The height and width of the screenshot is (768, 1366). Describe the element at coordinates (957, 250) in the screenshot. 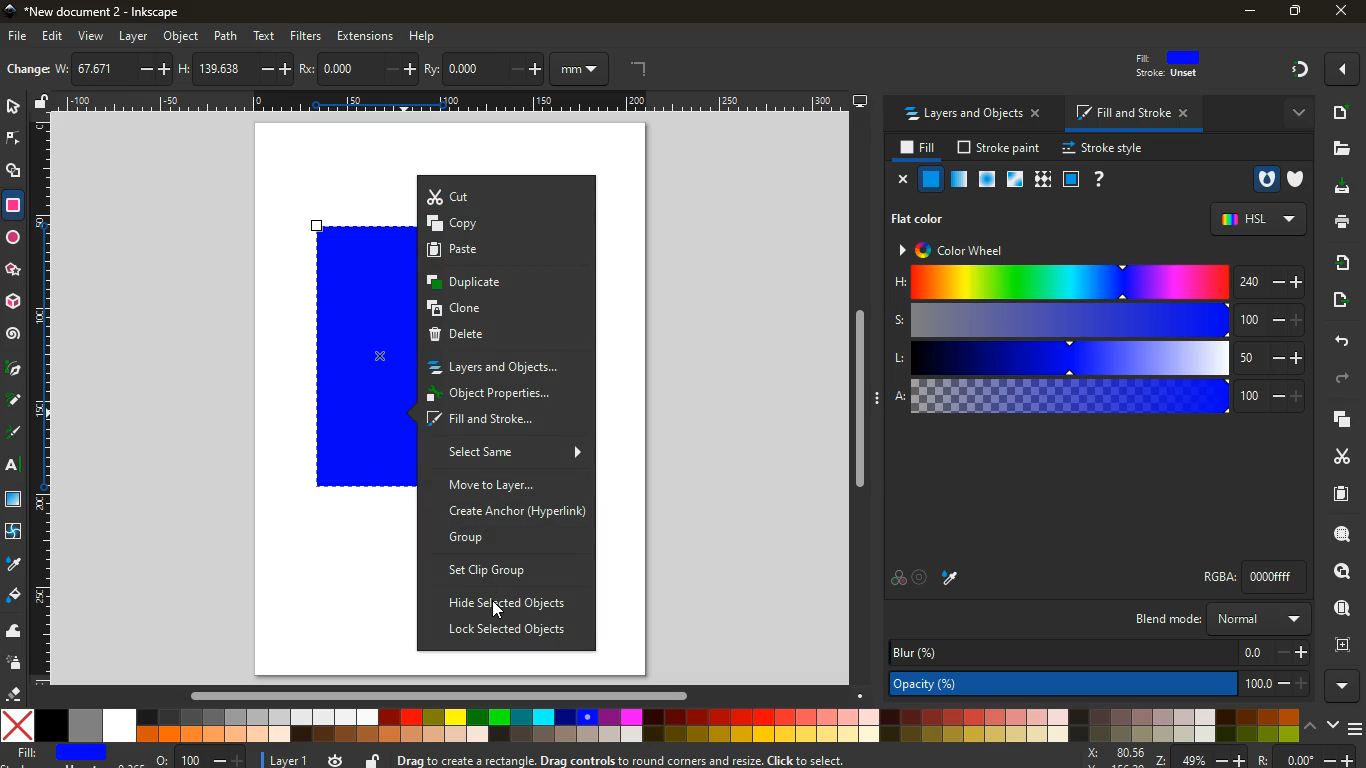

I see `color wheel` at that location.